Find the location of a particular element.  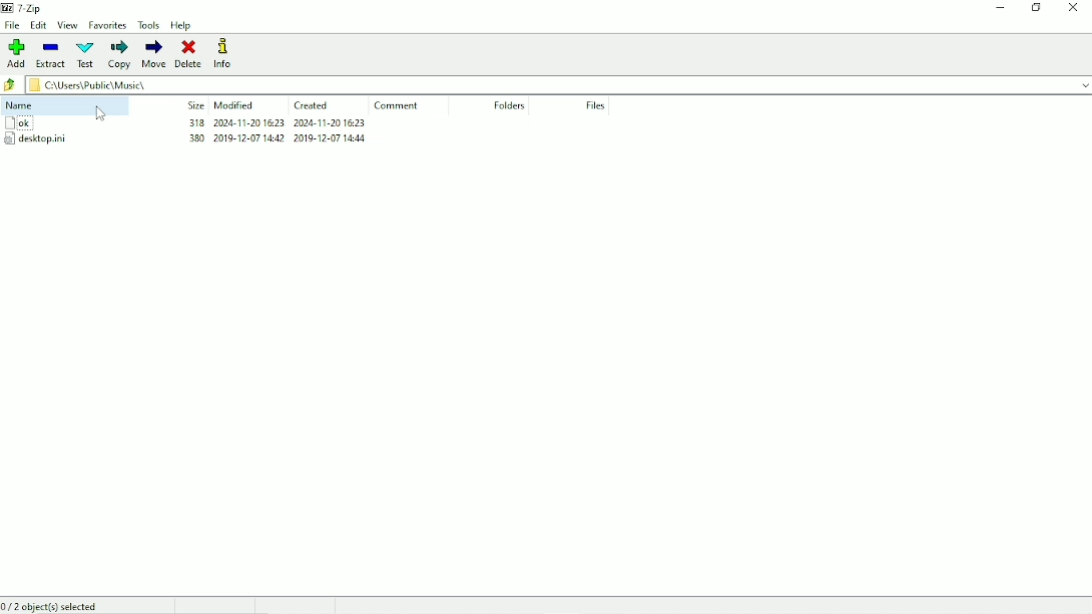

Info is located at coordinates (227, 53).